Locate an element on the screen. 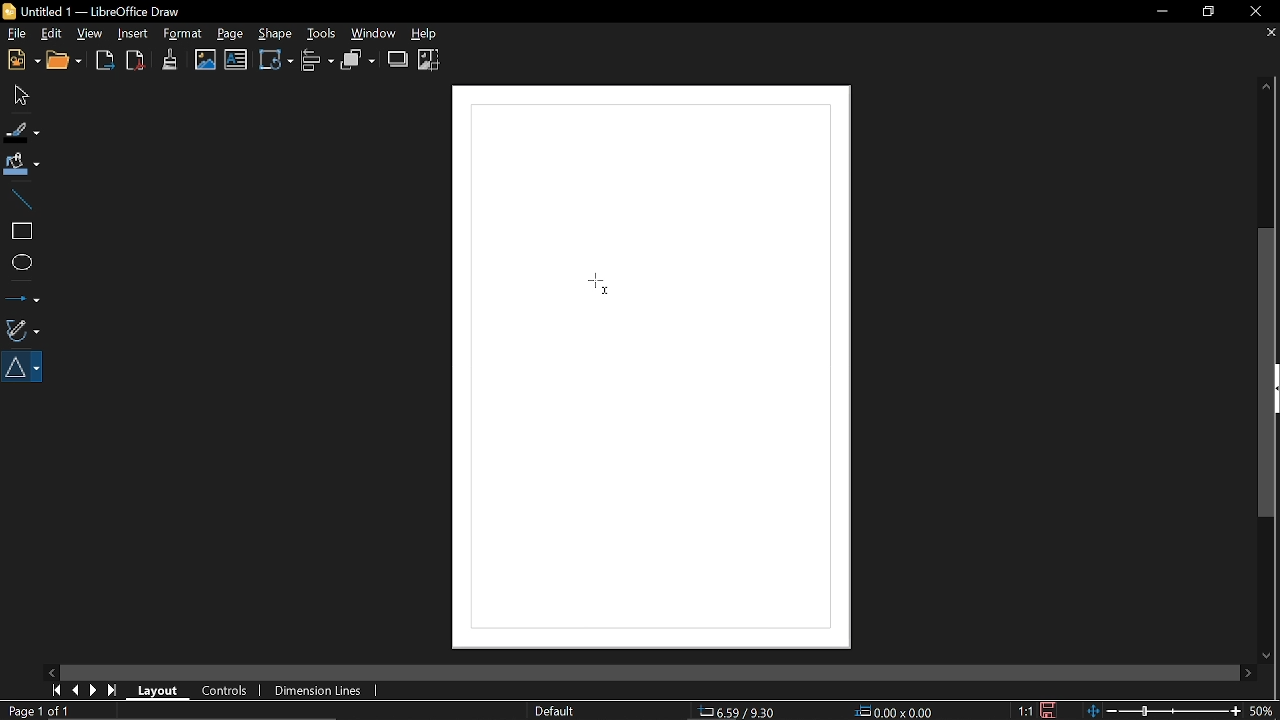 The height and width of the screenshot is (720, 1280). Minimize is located at coordinates (1156, 13).